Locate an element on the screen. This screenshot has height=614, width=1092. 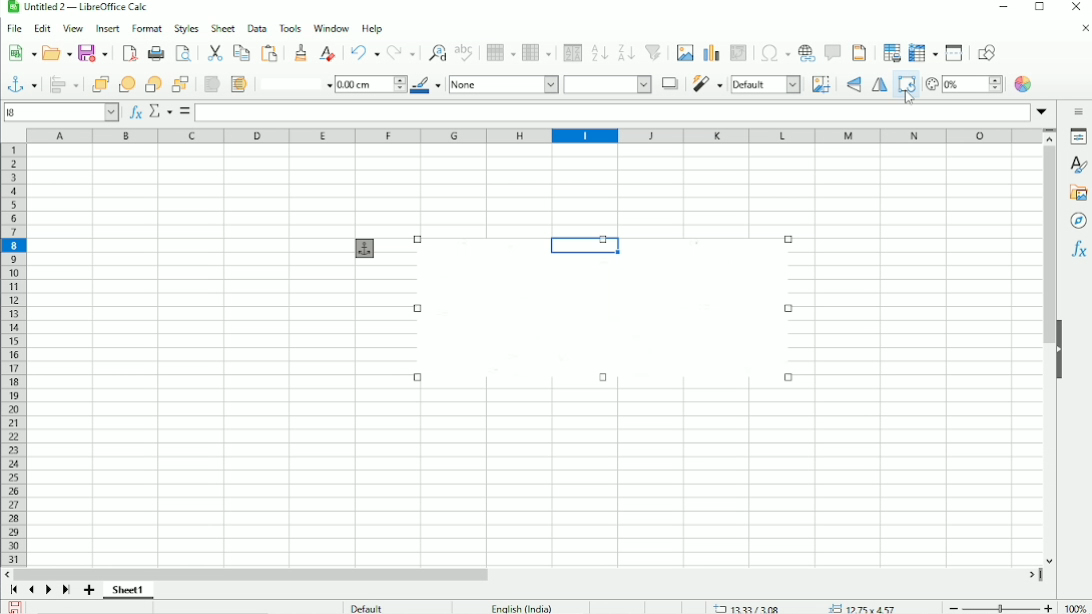
New is located at coordinates (20, 54).